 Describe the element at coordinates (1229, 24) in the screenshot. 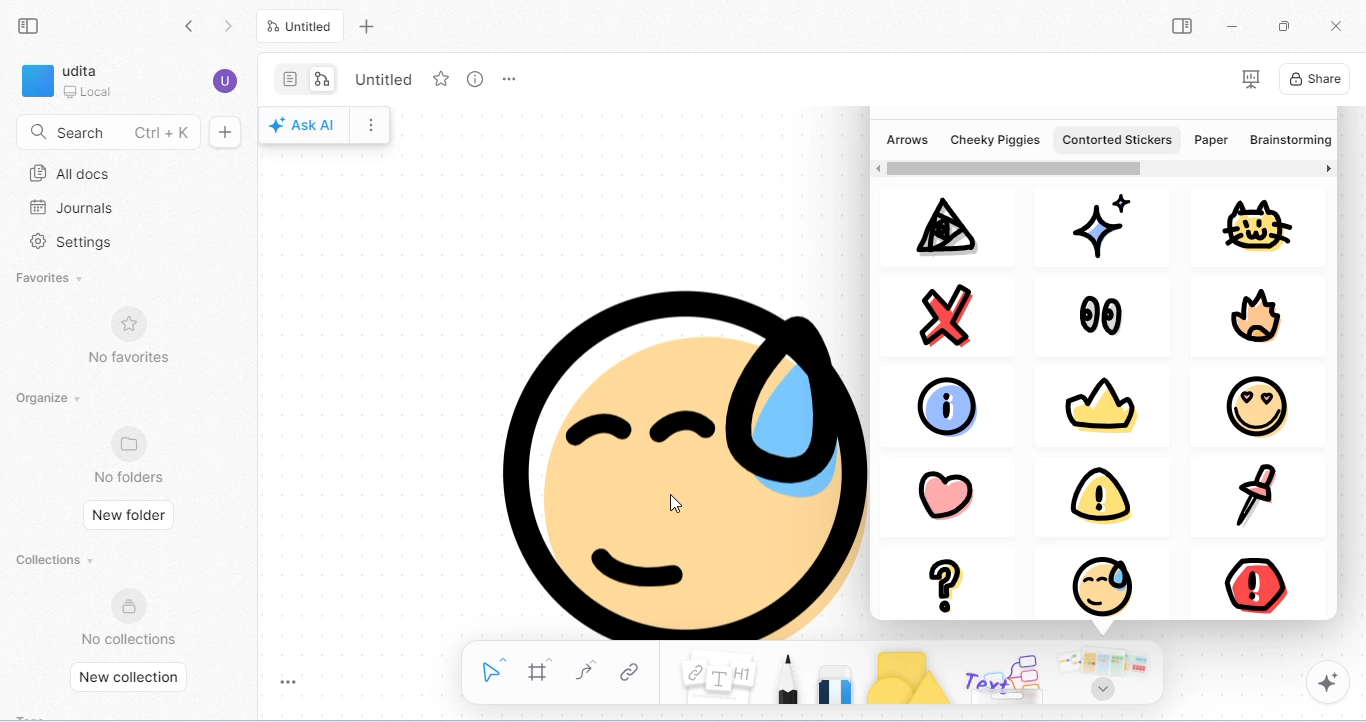

I see `minimize` at that location.